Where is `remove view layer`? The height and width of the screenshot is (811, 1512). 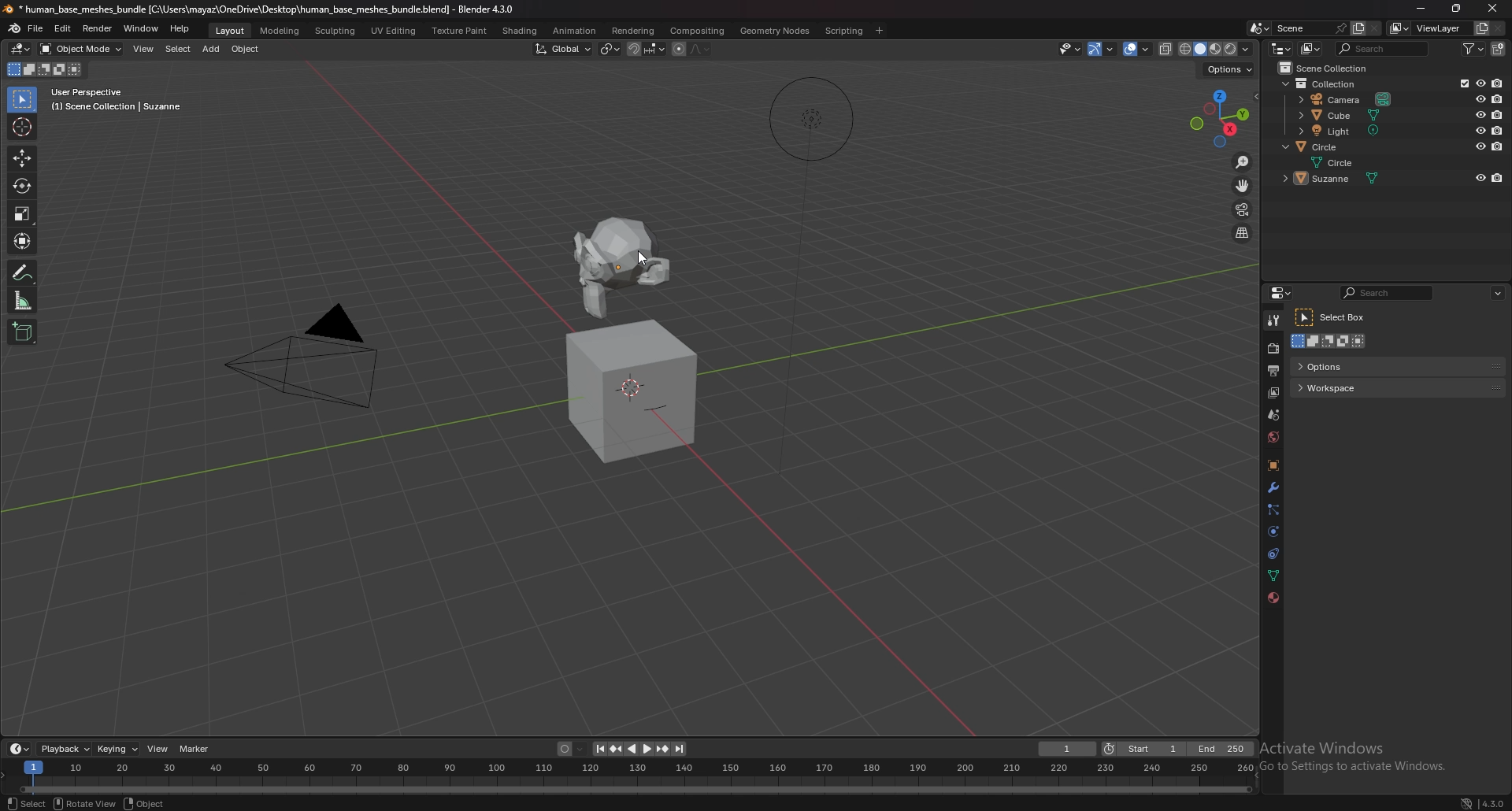
remove view layer is located at coordinates (1499, 28).